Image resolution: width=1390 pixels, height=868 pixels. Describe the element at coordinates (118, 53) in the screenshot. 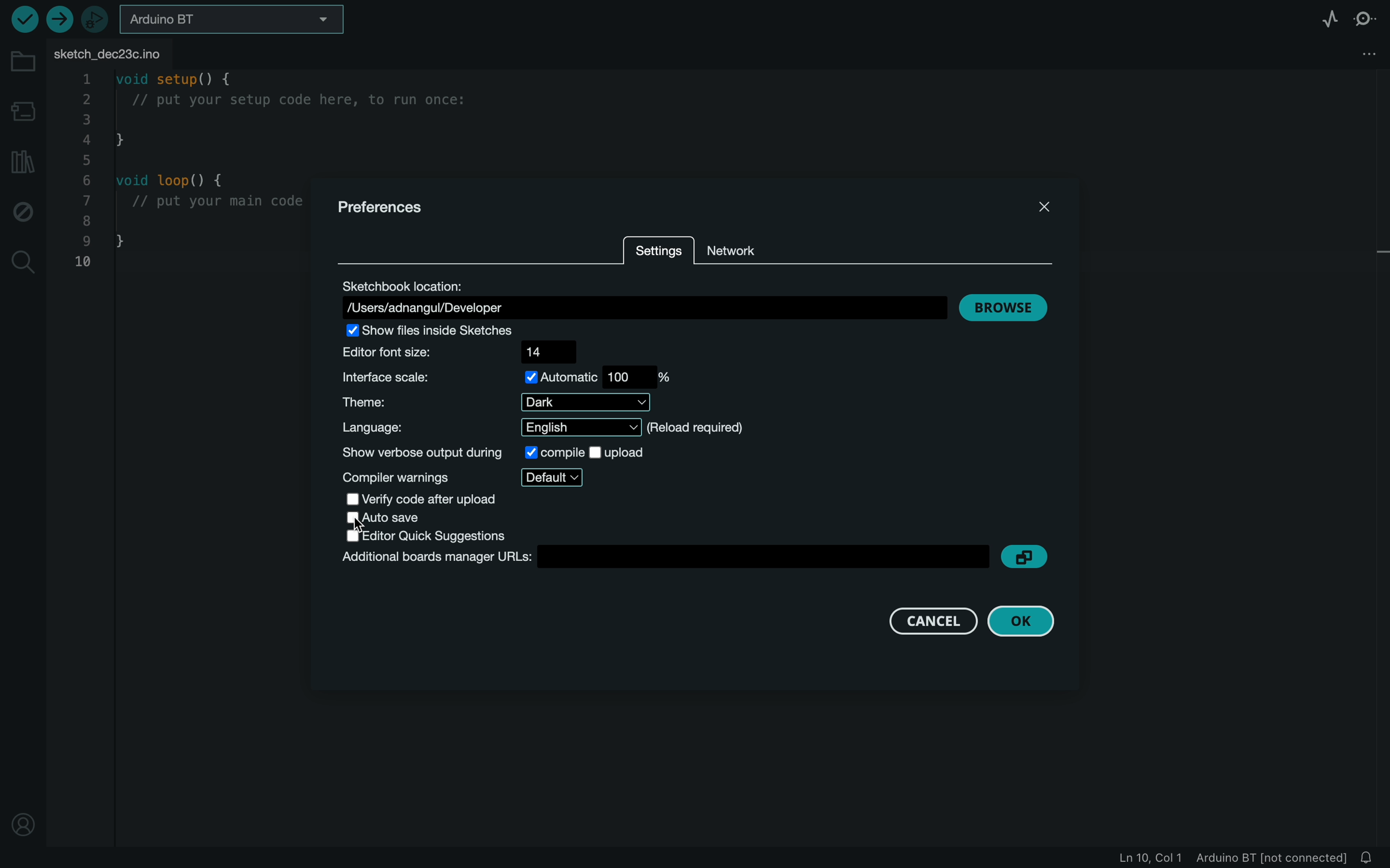

I see `file tab` at that location.